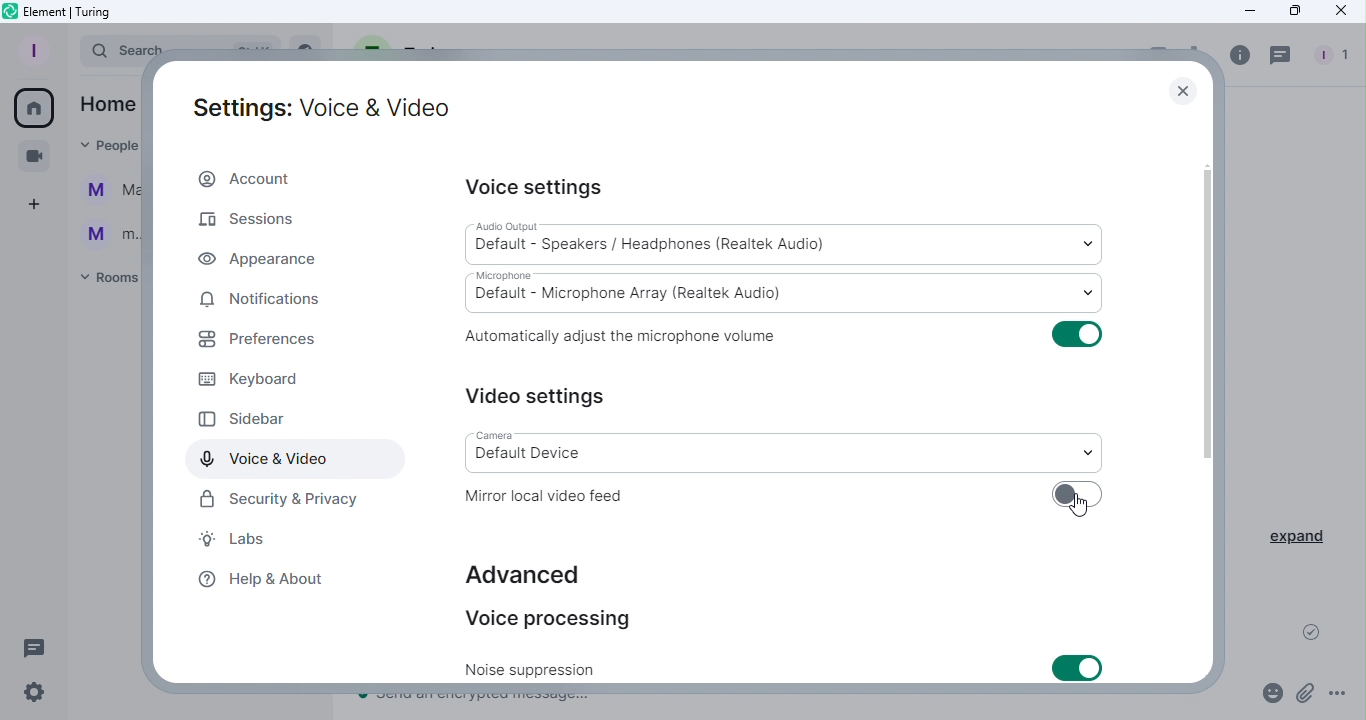 Image resolution: width=1366 pixels, height=720 pixels. Describe the element at coordinates (116, 49) in the screenshot. I see `Search bar` at that location.